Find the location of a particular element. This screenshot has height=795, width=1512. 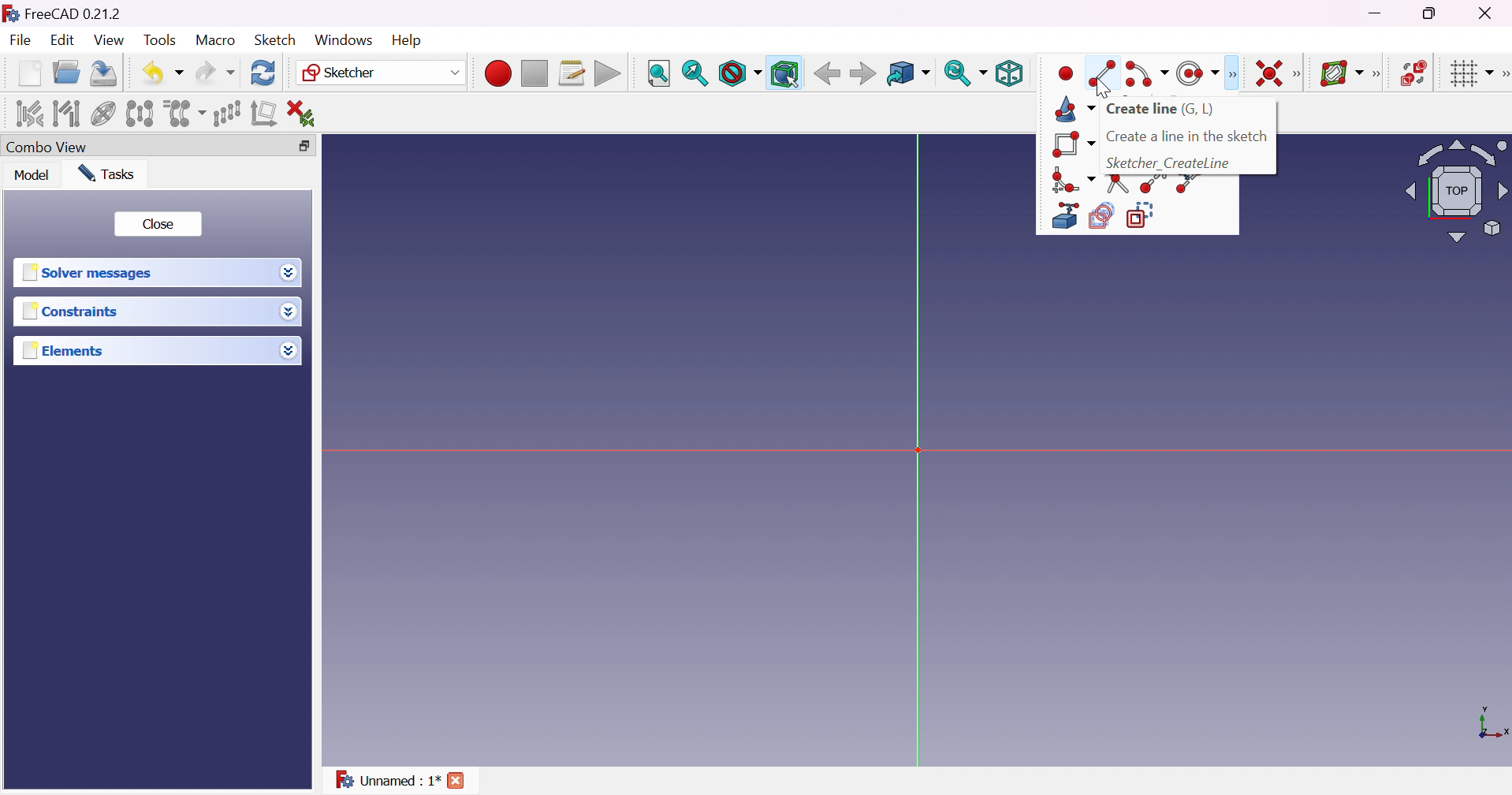

Restore down is located at coordinates (1432, 14).